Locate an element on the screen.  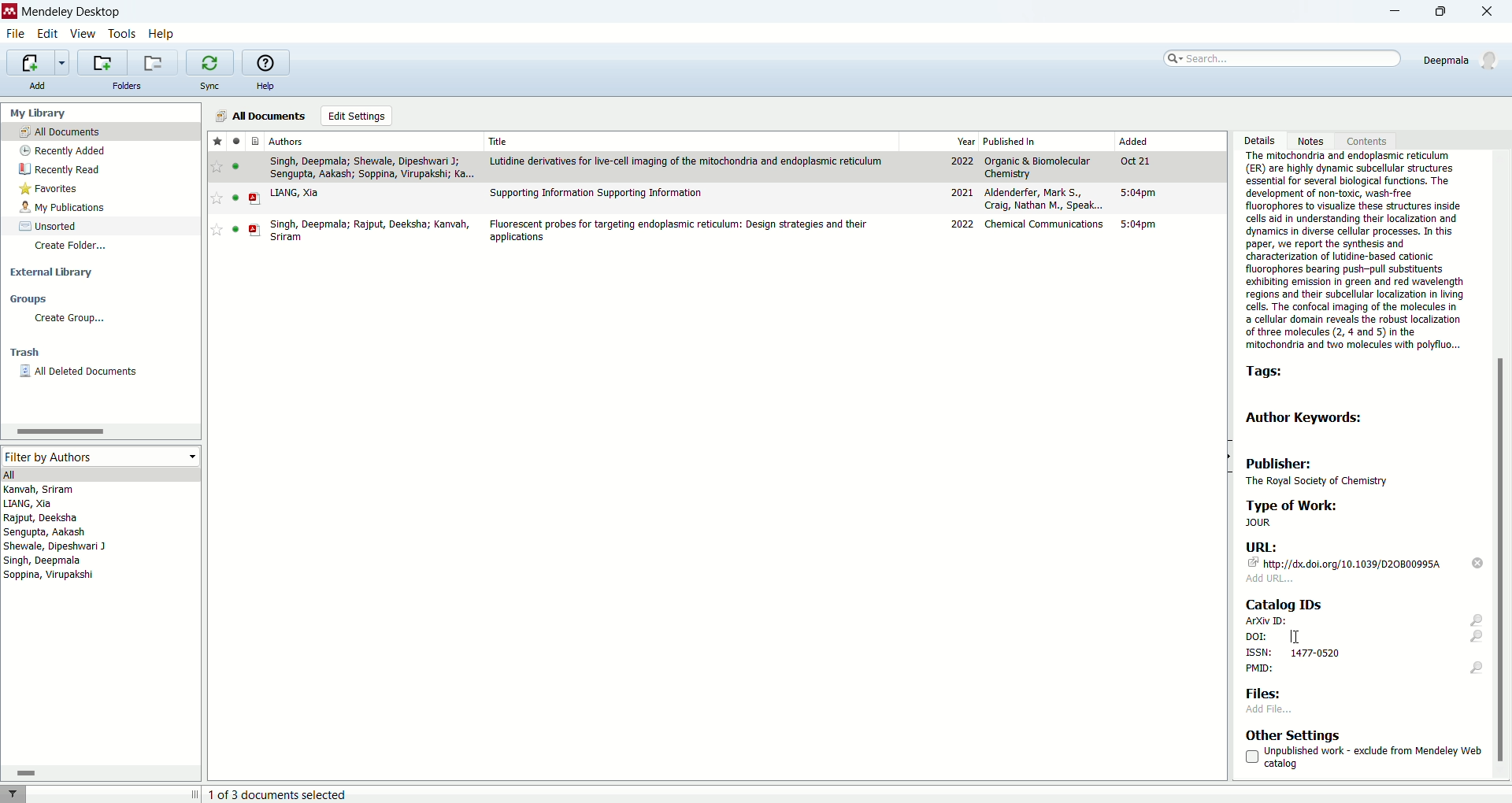
URL: http://dx.doi.org/10.1039/D20B00995A is located at coordinates (1347, 555).